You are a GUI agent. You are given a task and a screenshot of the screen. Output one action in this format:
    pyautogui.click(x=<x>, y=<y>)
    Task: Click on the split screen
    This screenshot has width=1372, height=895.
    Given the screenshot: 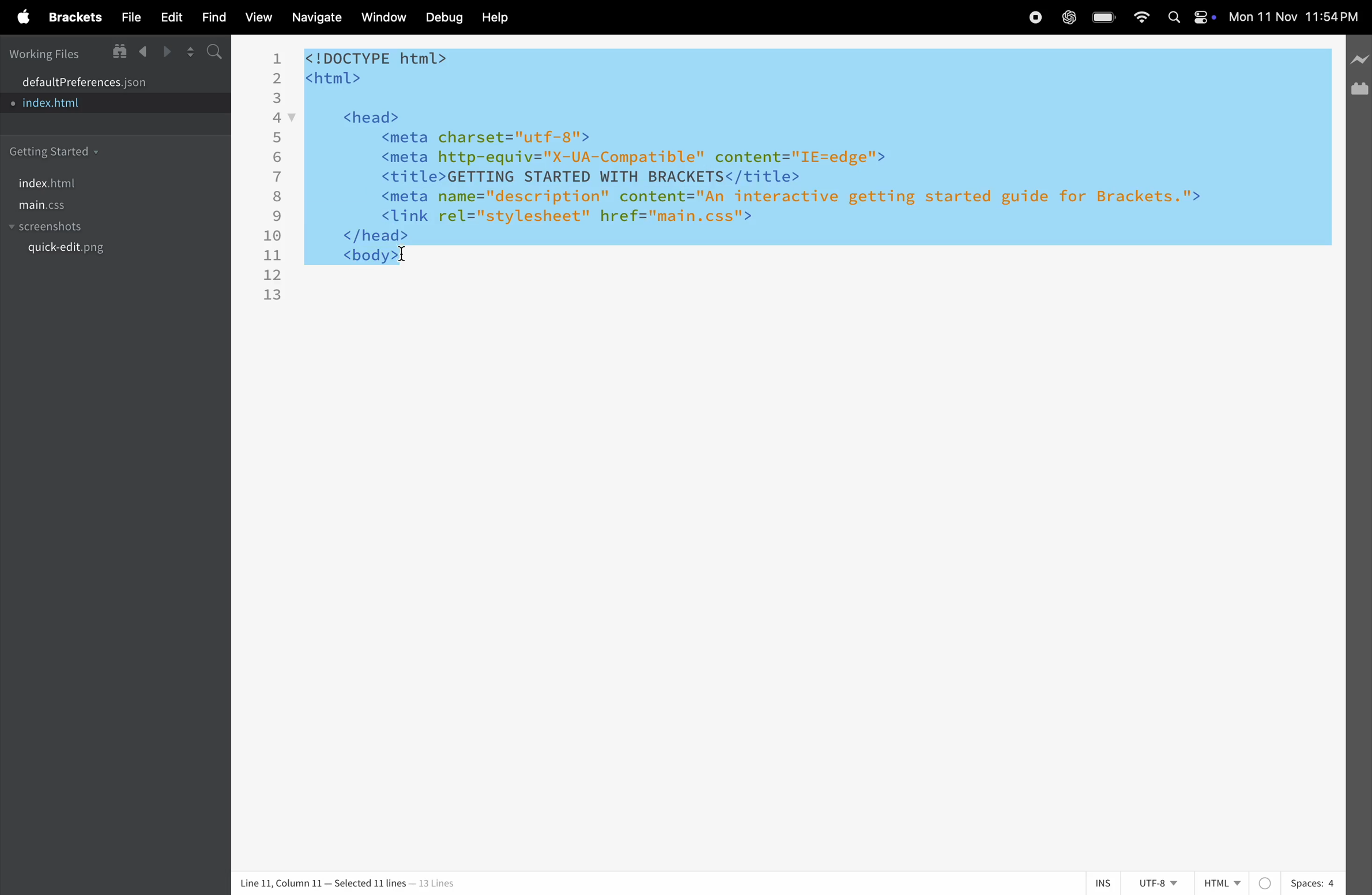 What is the action you would take?
    pyautogui.click(x=190, y=51)
    